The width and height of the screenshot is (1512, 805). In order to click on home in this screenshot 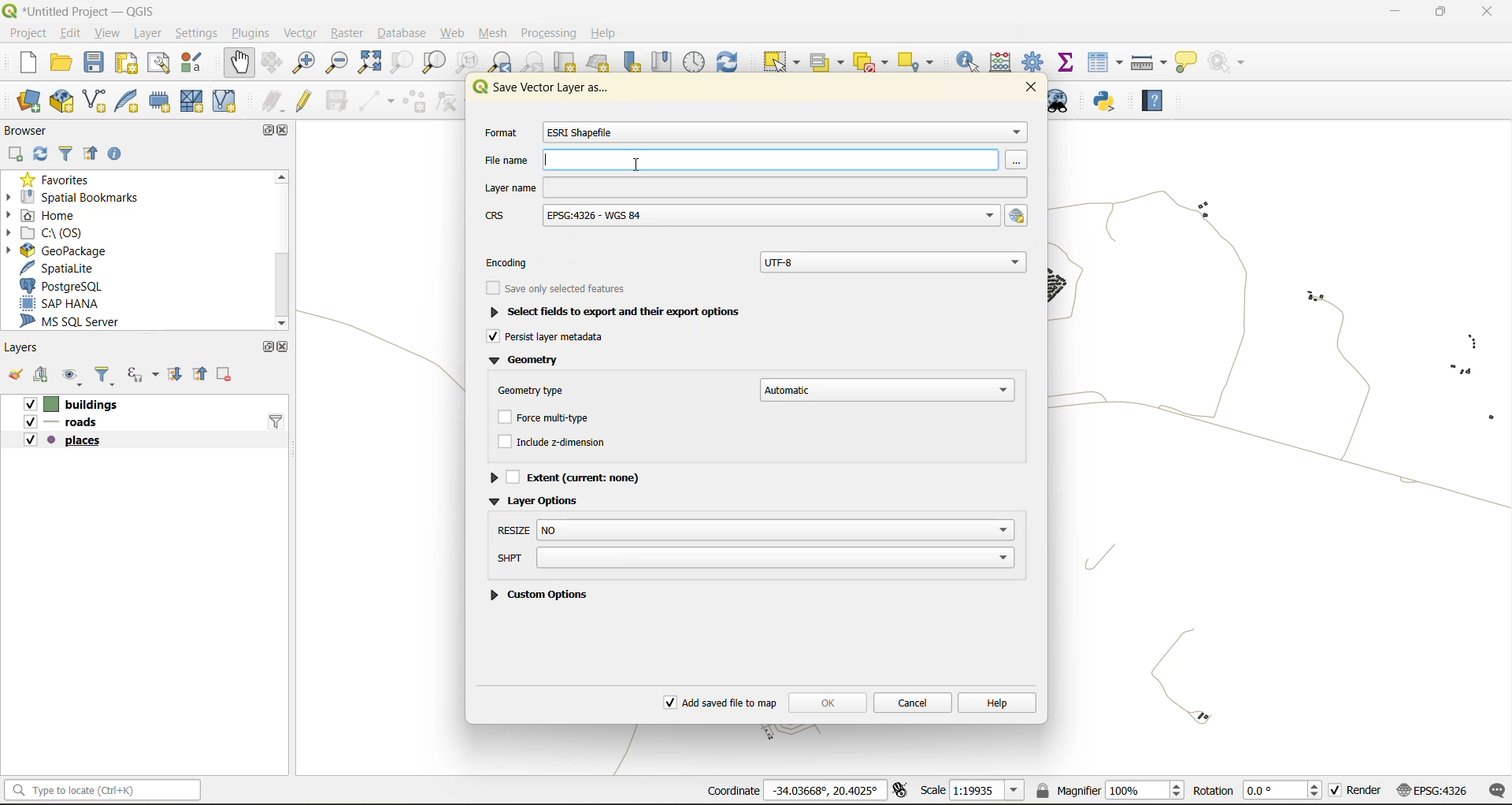, I will do `click(58, 215)`.